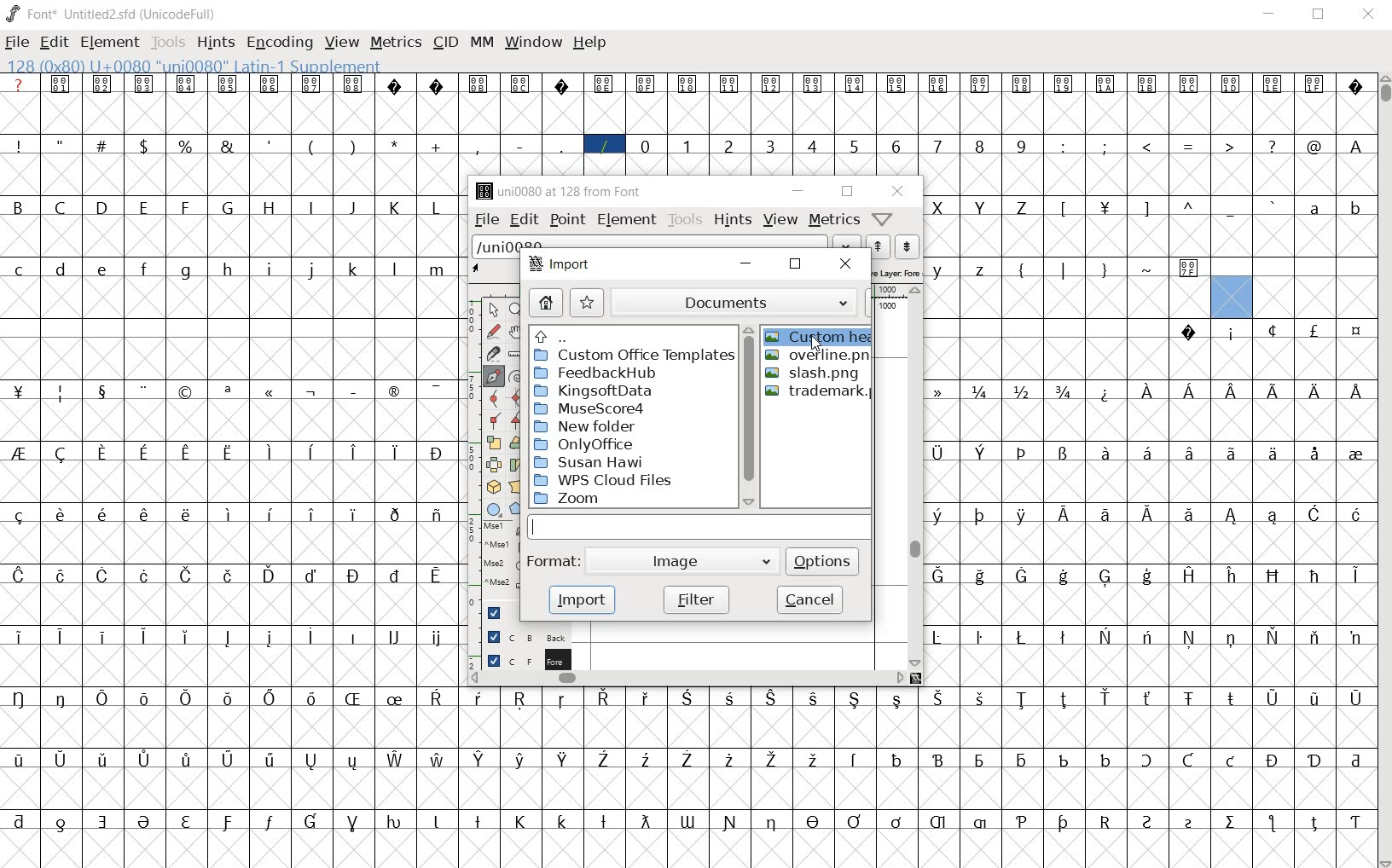 This screenshot has height=868, width=1392. I want to click on glyph, so click(61, 84).